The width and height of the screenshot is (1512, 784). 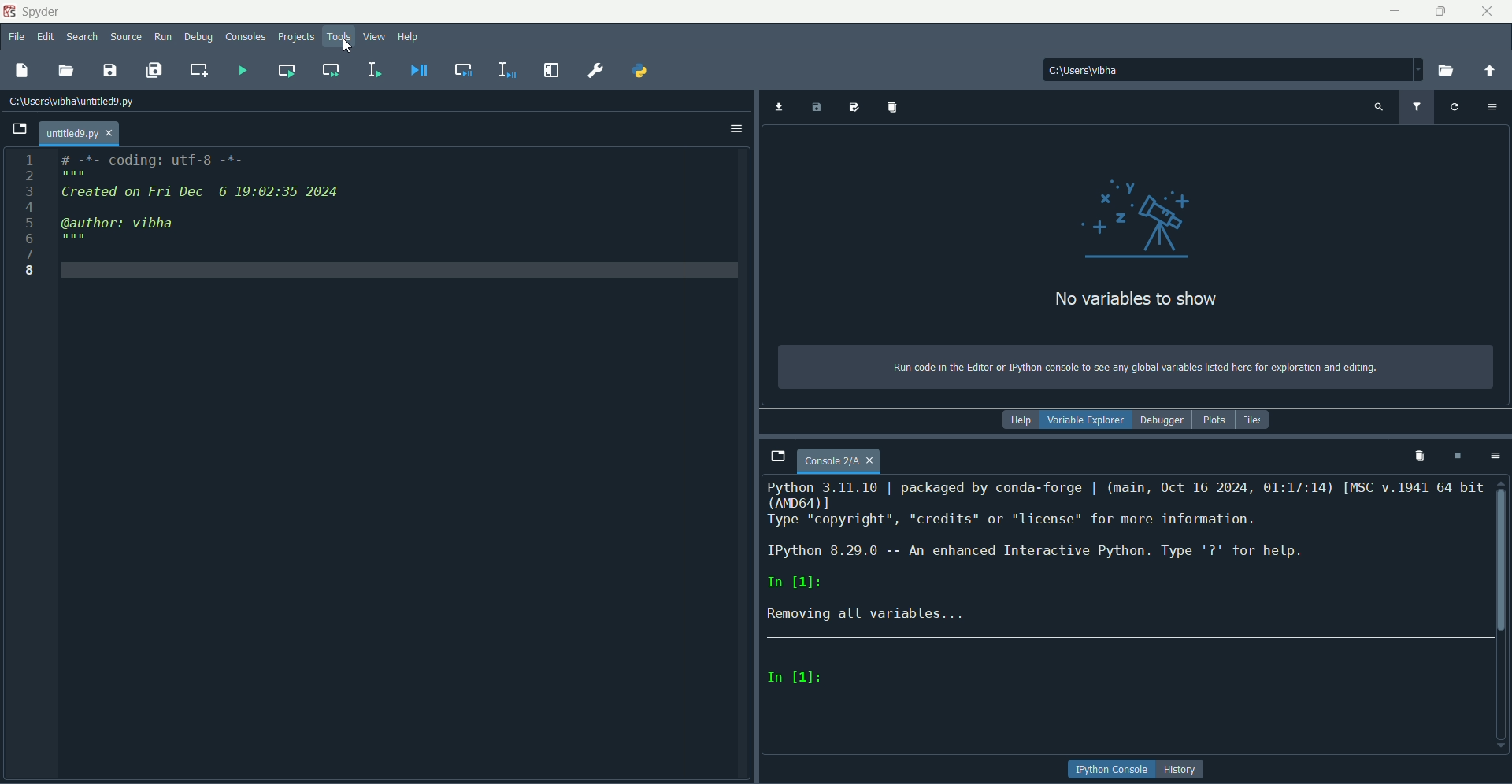 What do you see at coordinates (1379, 106) in the screenshot?
I see `search variable` at bounding box center [1379, 106].